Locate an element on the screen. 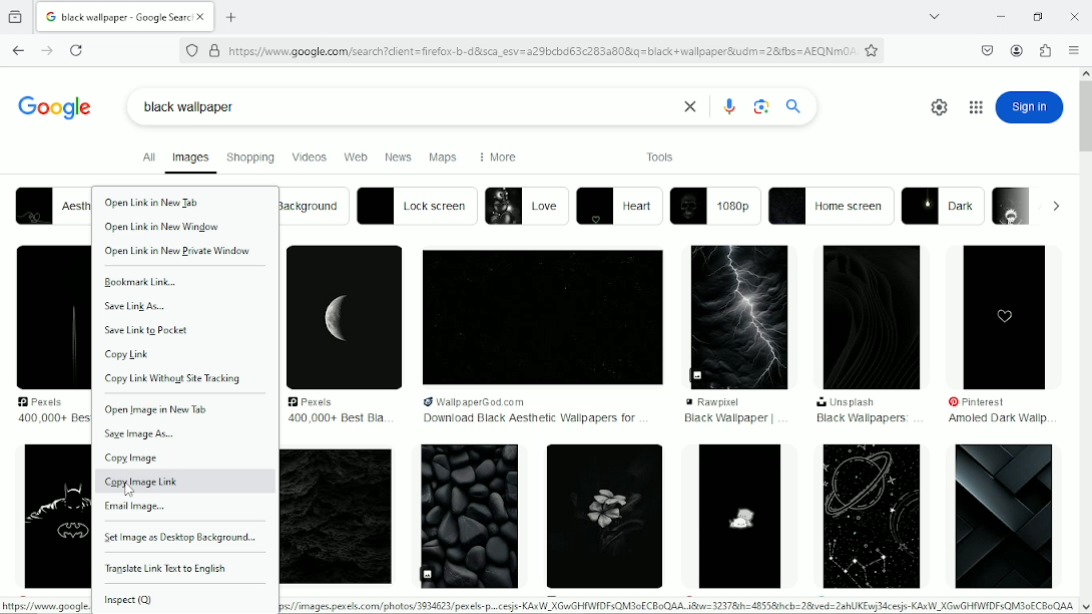 The width and height of the screenshot is (1092, 614). open applications menu is located at coordinates (1074, 51).